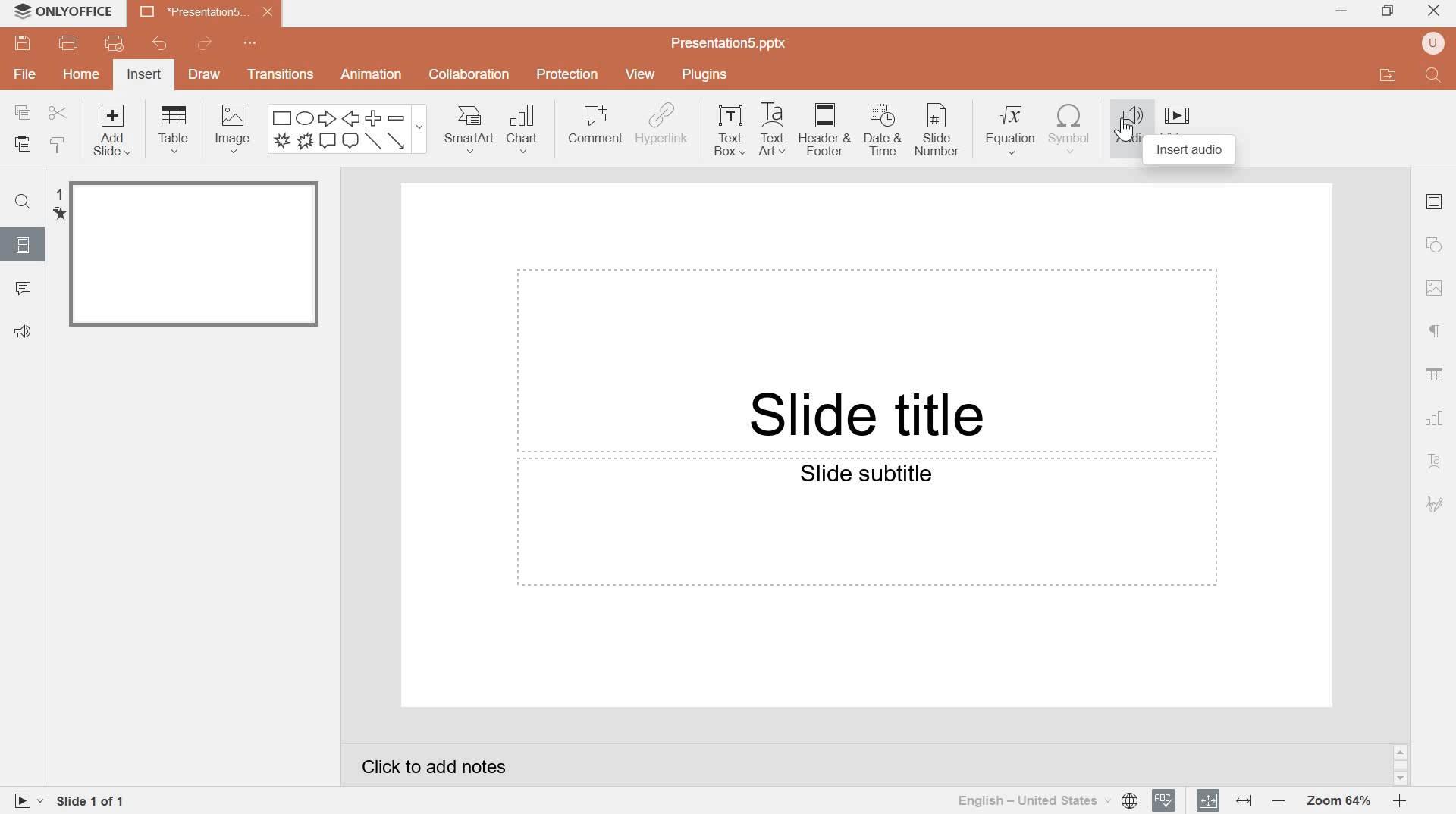  Describe the element at coordinates (1164, 800) in the screenshot. I see `spell checking` at that location.